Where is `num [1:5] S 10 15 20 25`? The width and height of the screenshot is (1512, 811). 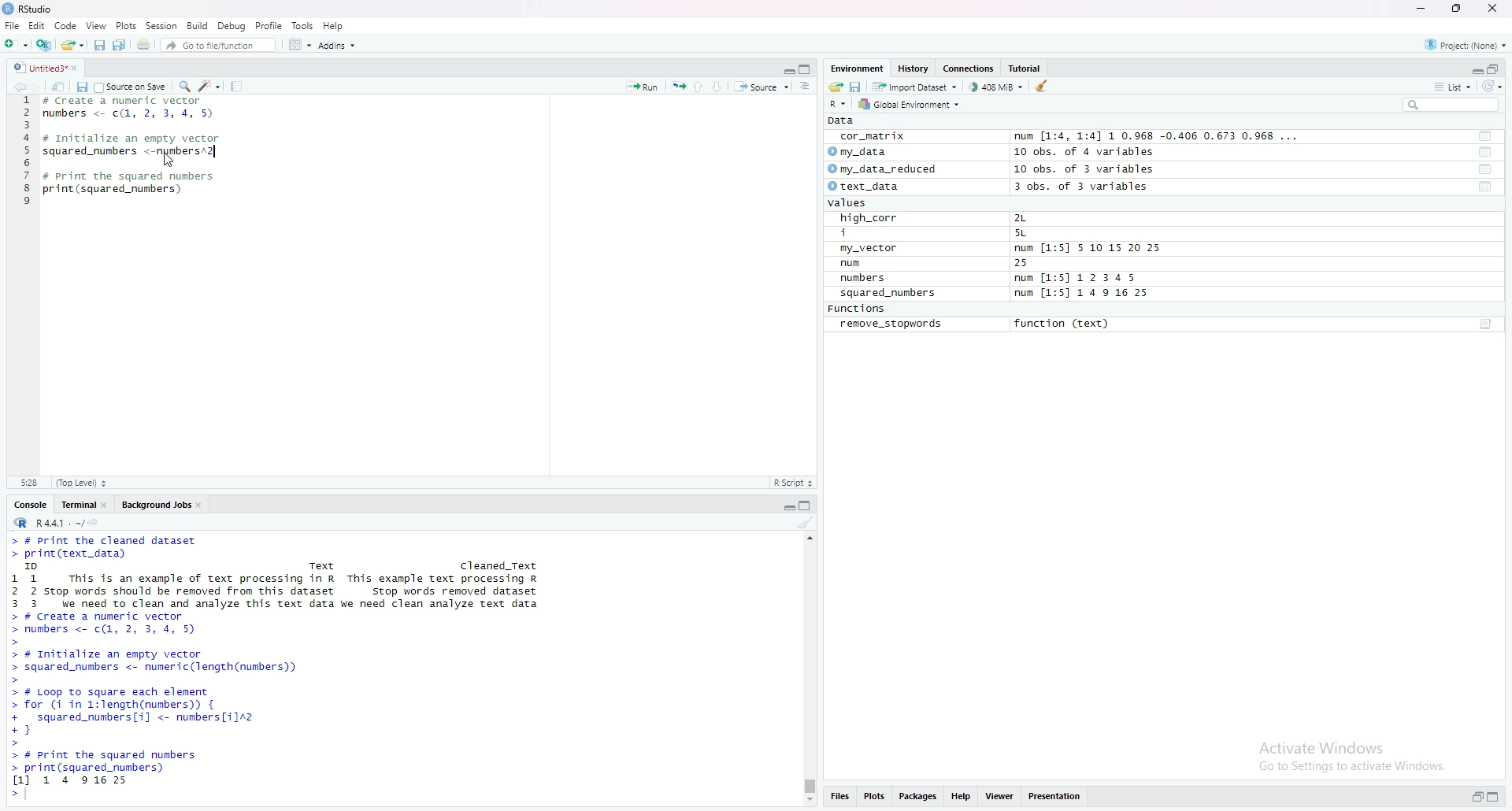 num [1:5] S 10 15 20 25 is located at coordinates (1088, 249).